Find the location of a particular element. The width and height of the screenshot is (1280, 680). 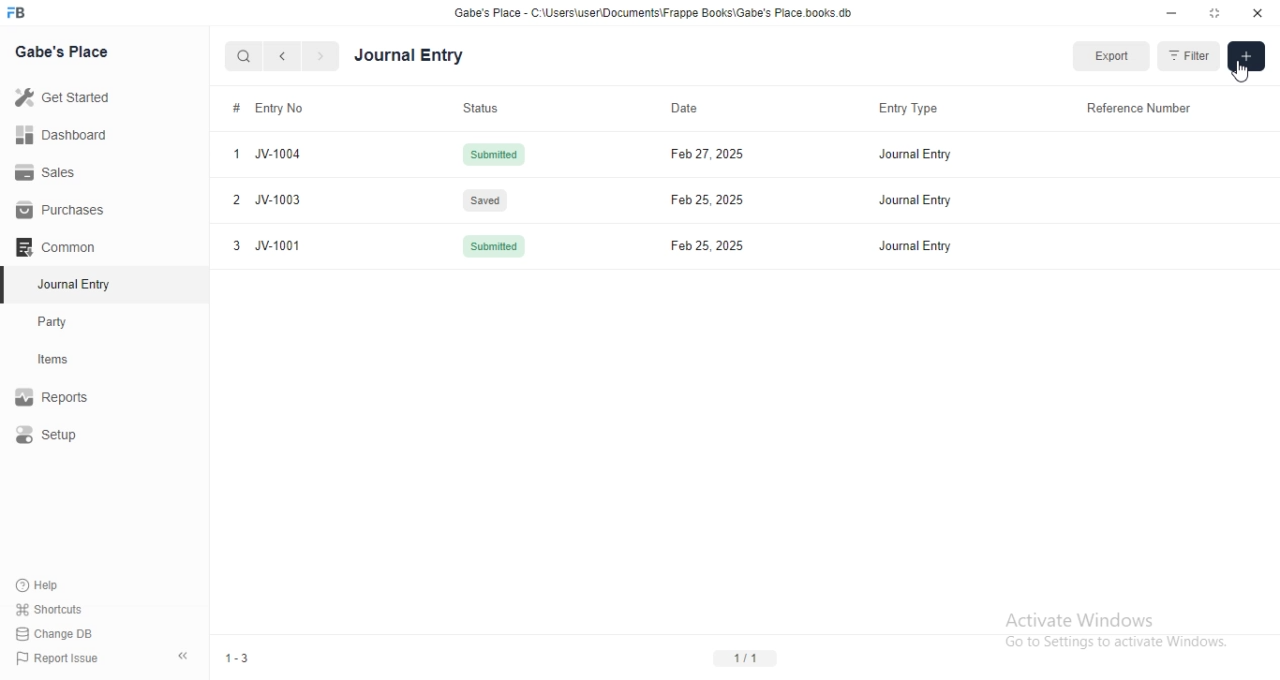

2 v-1003 Saved Feb 25,2025 Journal Entry is located at coordinates (739, 200).